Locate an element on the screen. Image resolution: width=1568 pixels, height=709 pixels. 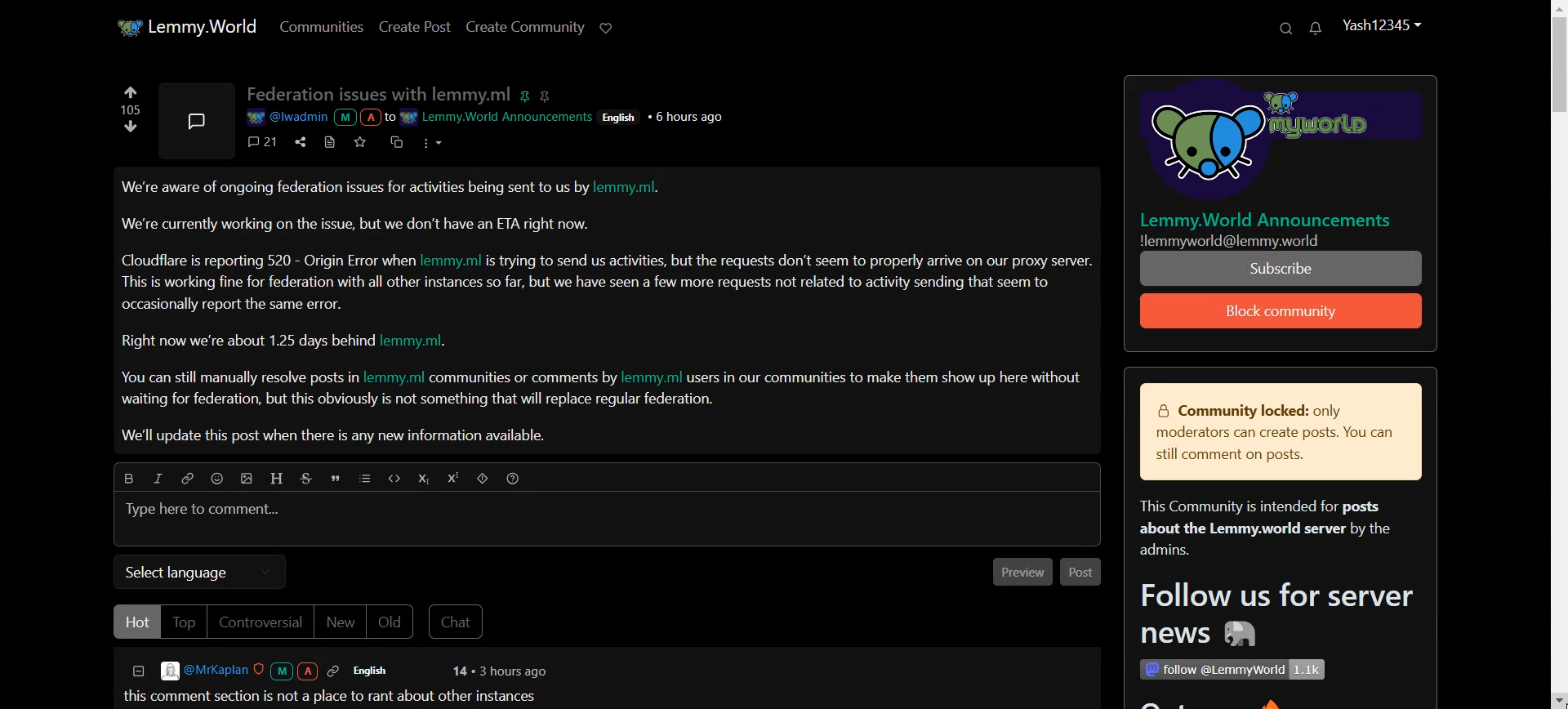
You can still manually resolve posts in is located at coordinates (238, 379).